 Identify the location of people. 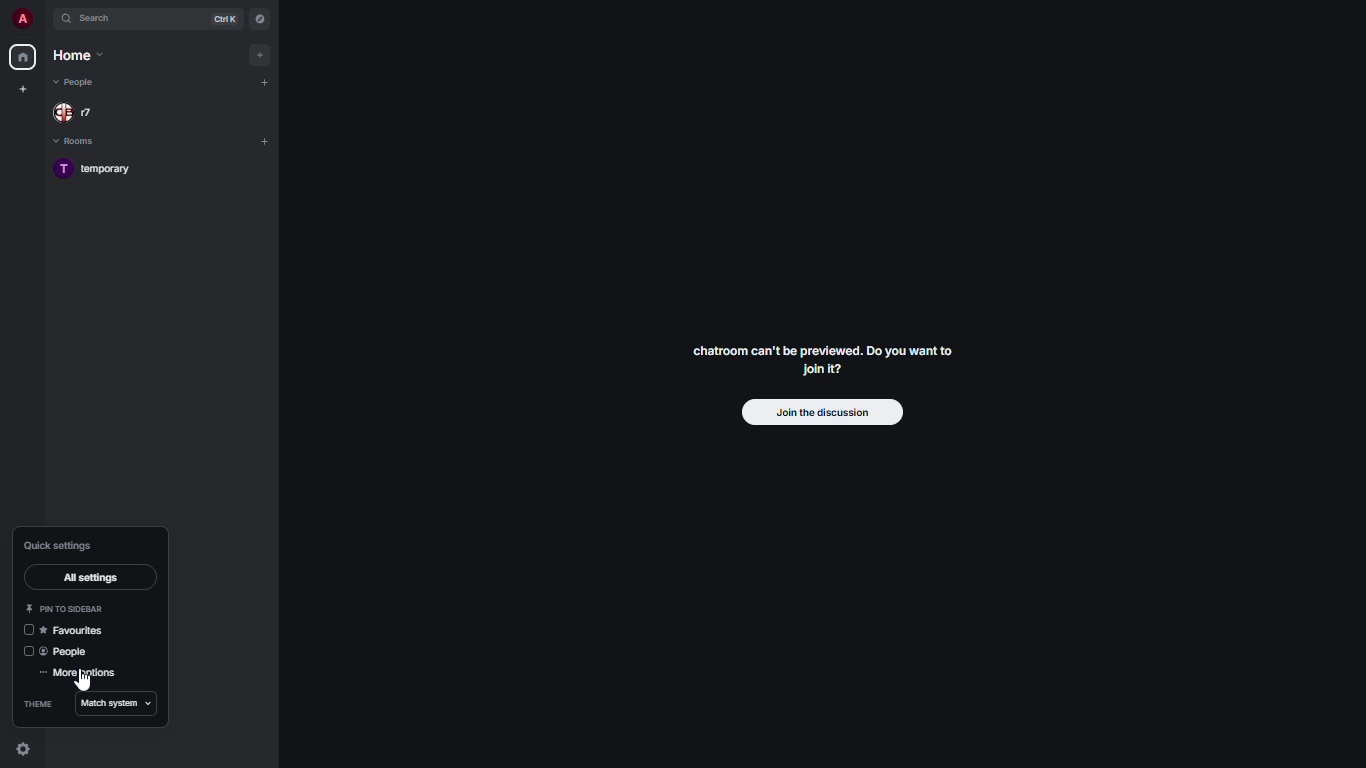
(79, 83).